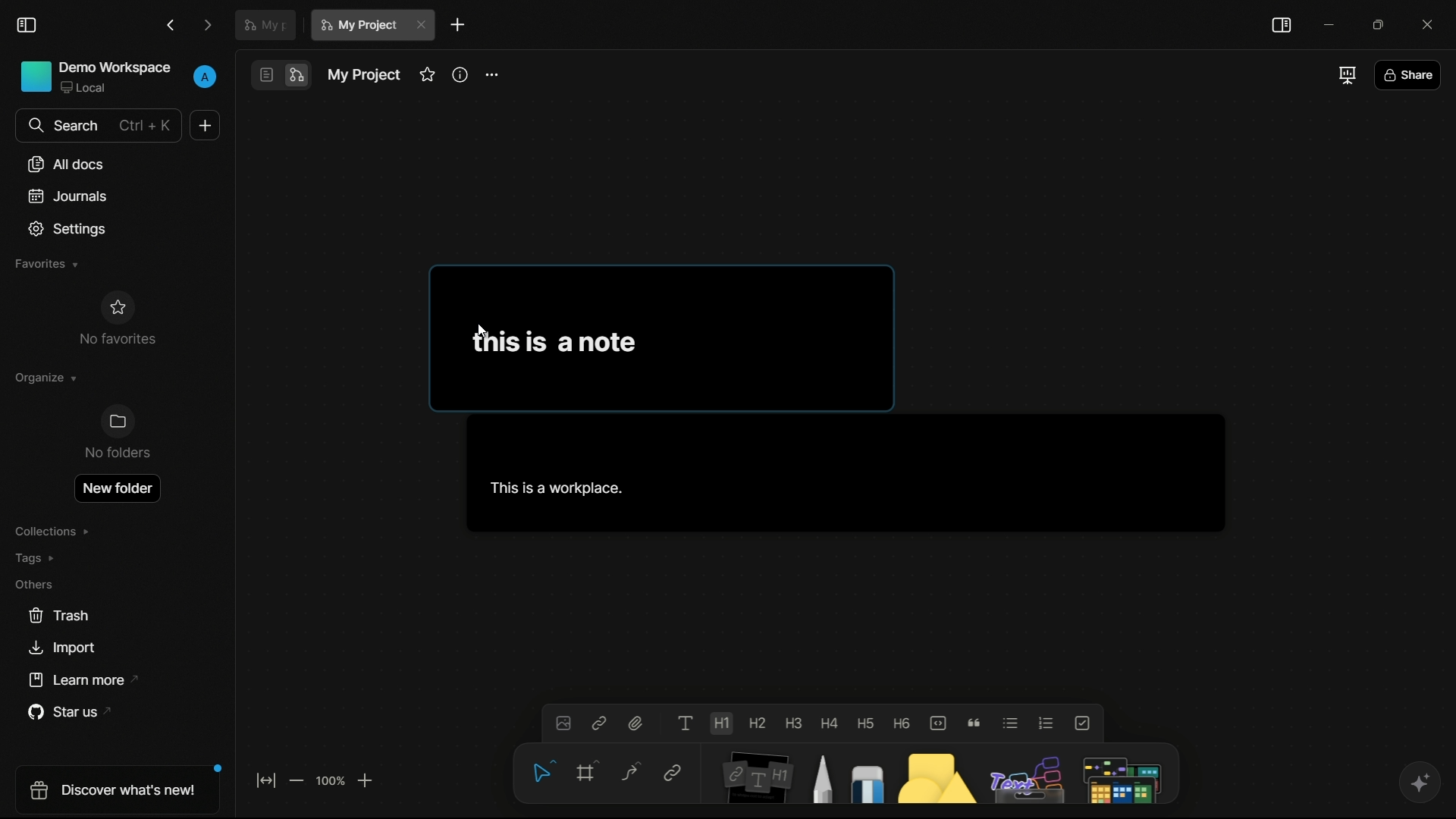 The width and height of the screenshot is (1456, 819). What do you see at coordinates (1380, 24) in the screenshot?
I see `maximize or restore` at bounding box center [1380, 24].